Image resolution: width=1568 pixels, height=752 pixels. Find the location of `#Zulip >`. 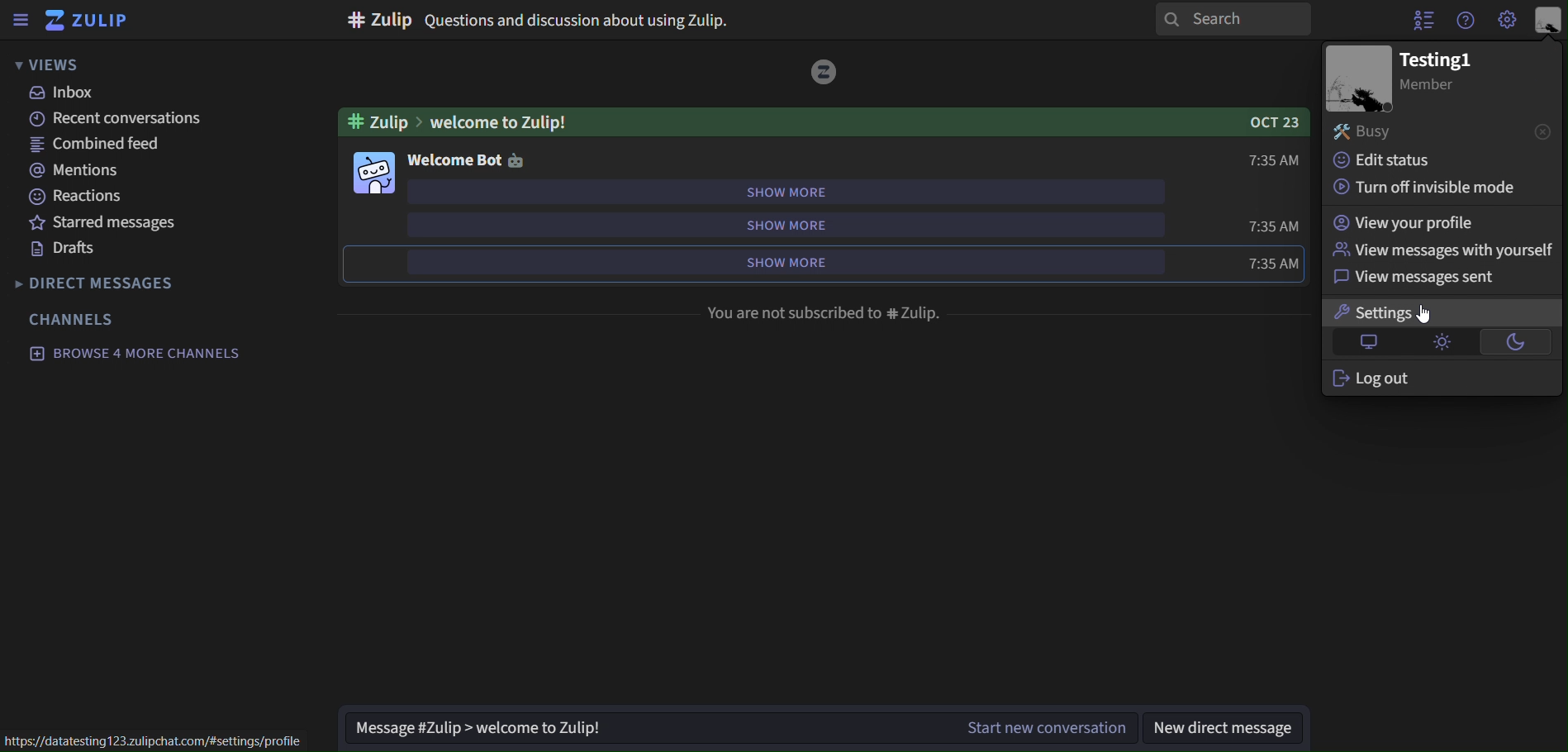

#Zulip > is located at coordinates (382, 122).